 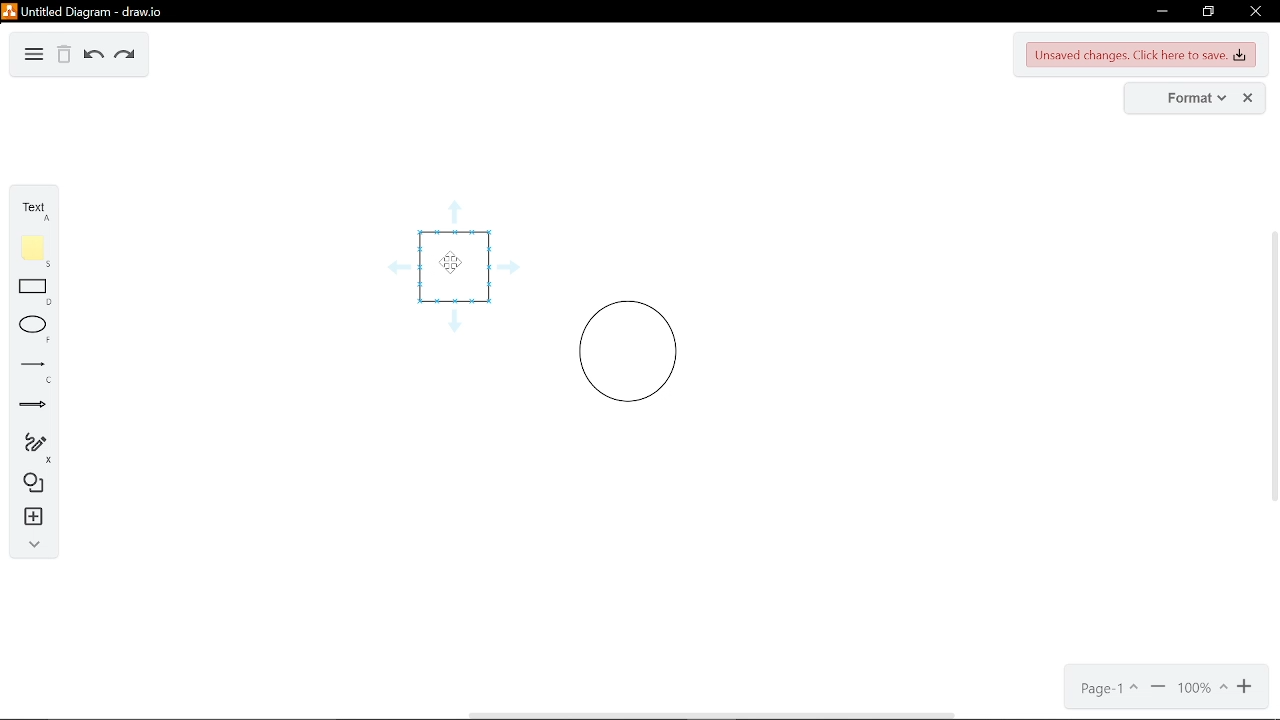 I want to click on current page, so click(x=1106, y=690).